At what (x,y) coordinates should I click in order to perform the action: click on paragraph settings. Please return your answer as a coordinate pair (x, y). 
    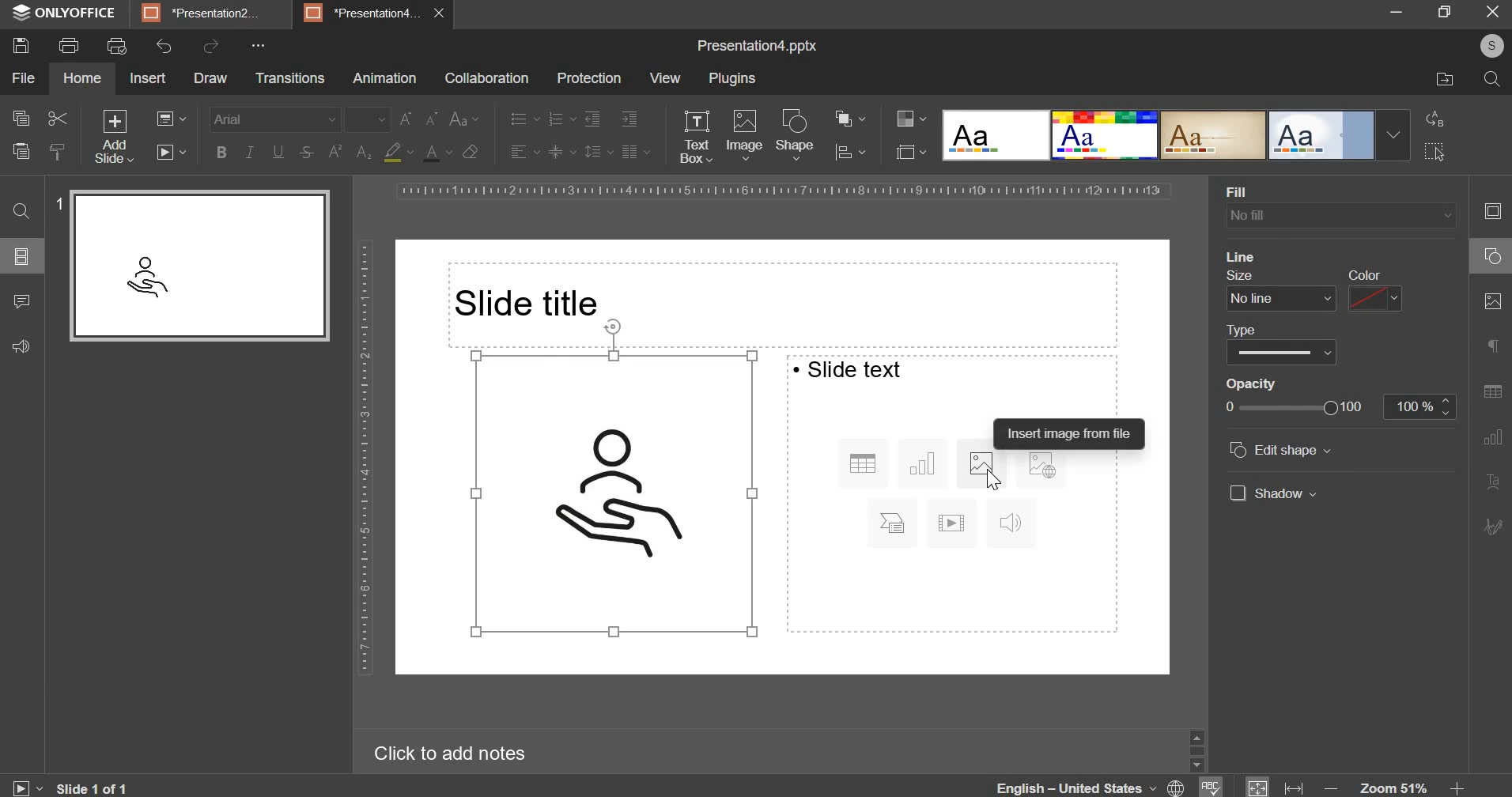
    Looking at the image, I should click on (1491, 346).